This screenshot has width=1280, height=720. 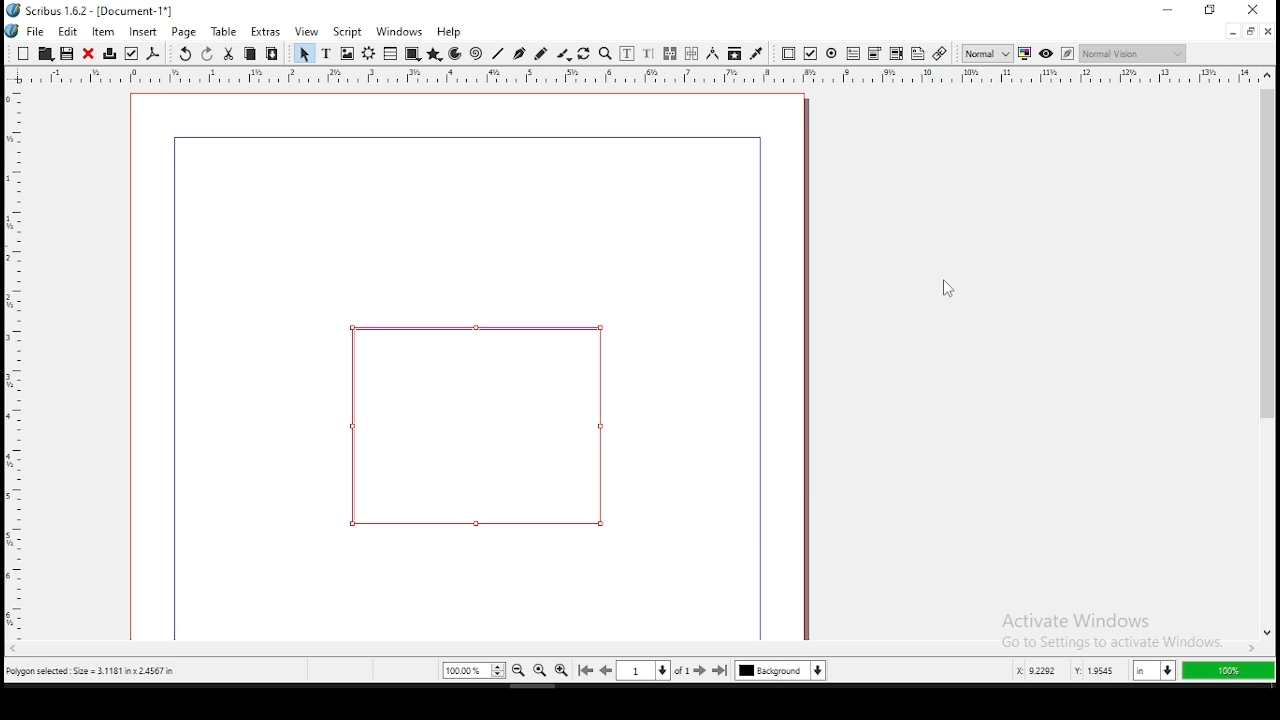 What do you see at coordinates (939, 53) in the screenshot?
I see `link annotation` at bounding box center [939, 53].